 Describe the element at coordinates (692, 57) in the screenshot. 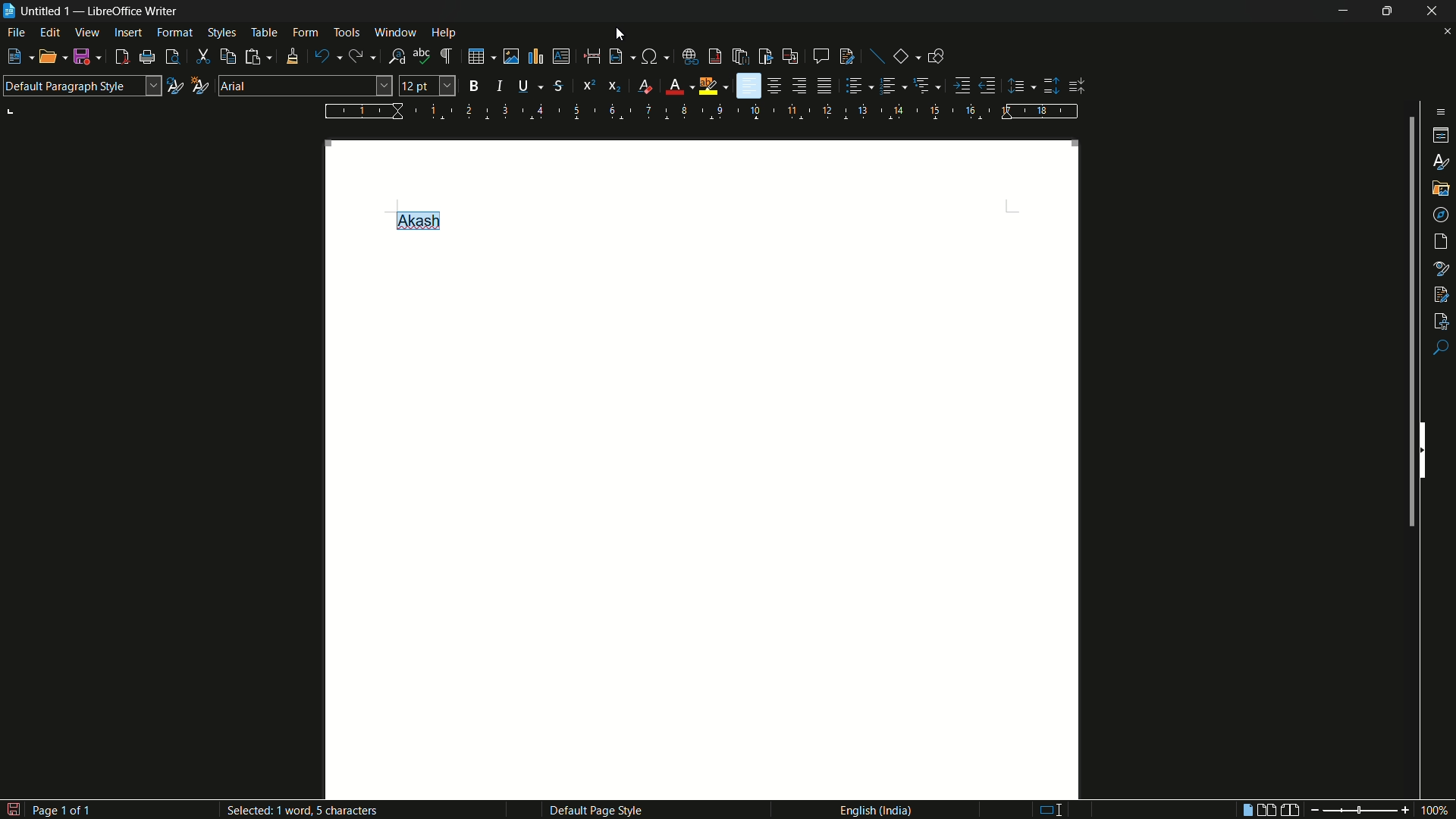

I see `insert hyperlink` at that location.